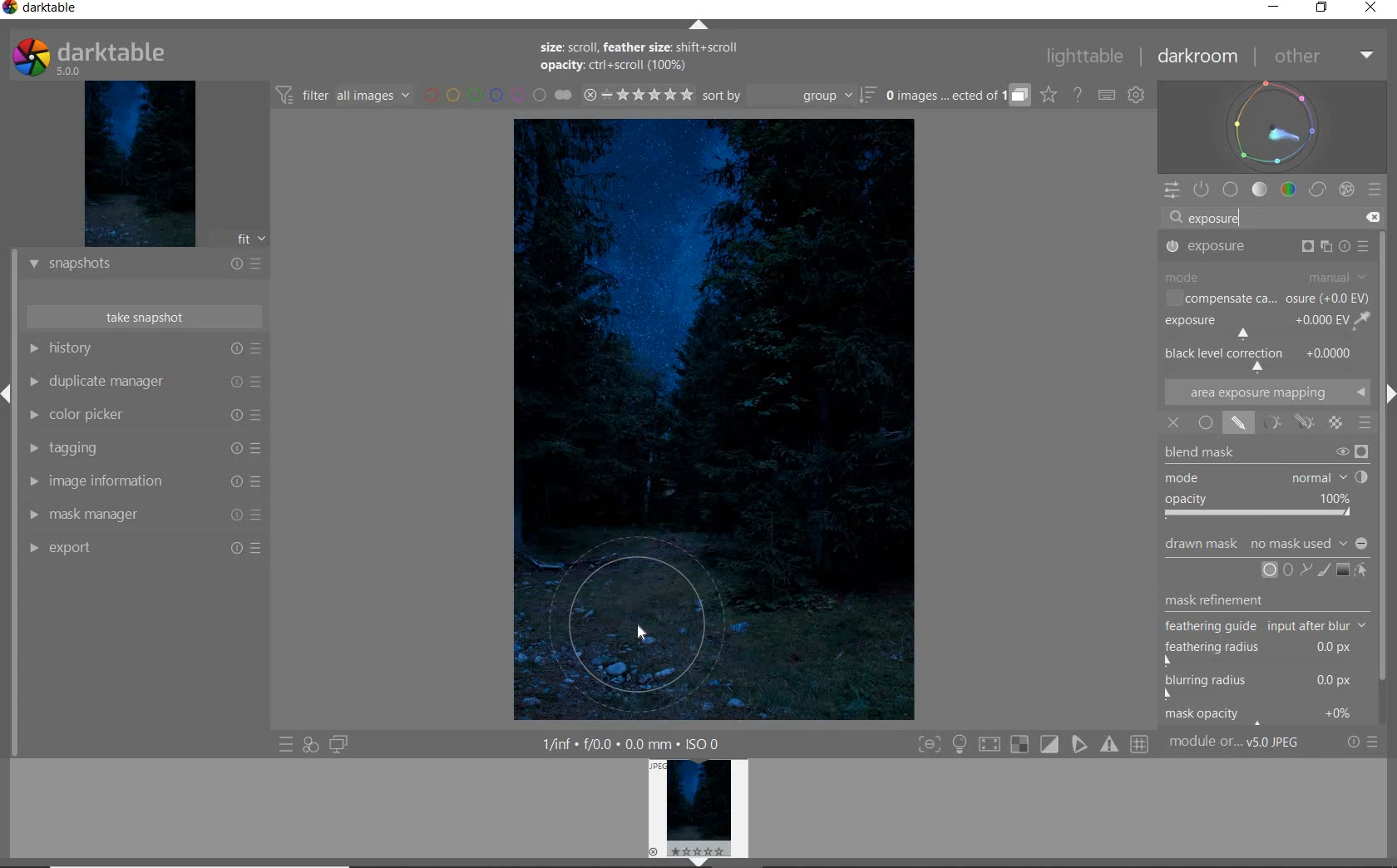 The image size is (1397, 868). Describe the element at coordinates (309, 746) in the screenshot. I see `QUICK ACCESS FOR APPLYING ANY OF YOUR STYLES` at that location.